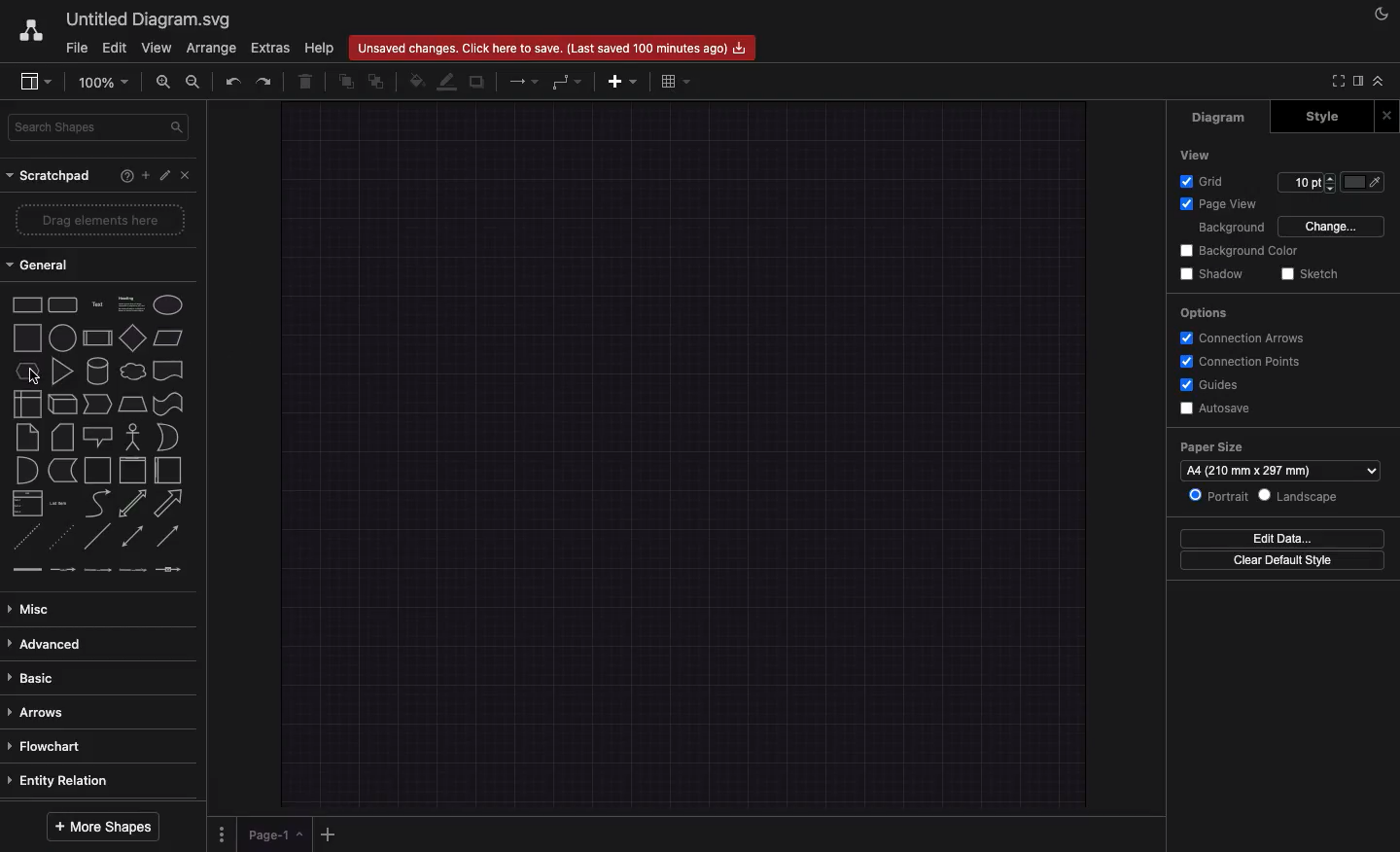  I want to click on Background color, so click(1238, 250).